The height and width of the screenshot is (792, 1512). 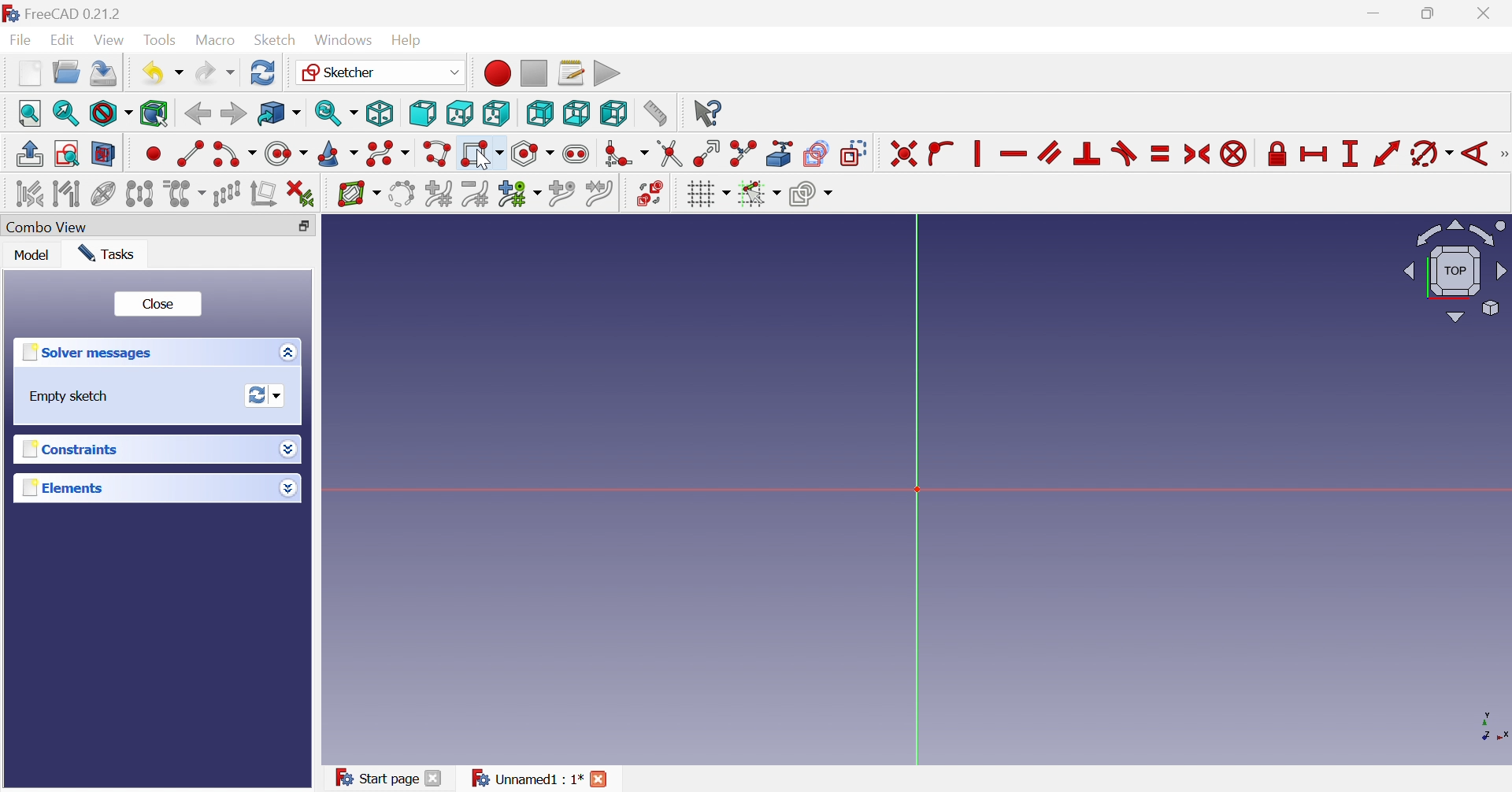 What do you see at coordinates (400, 194) in the screenshot?
I see `Convert geometry to B-spline` at bounding box center [400, 194].